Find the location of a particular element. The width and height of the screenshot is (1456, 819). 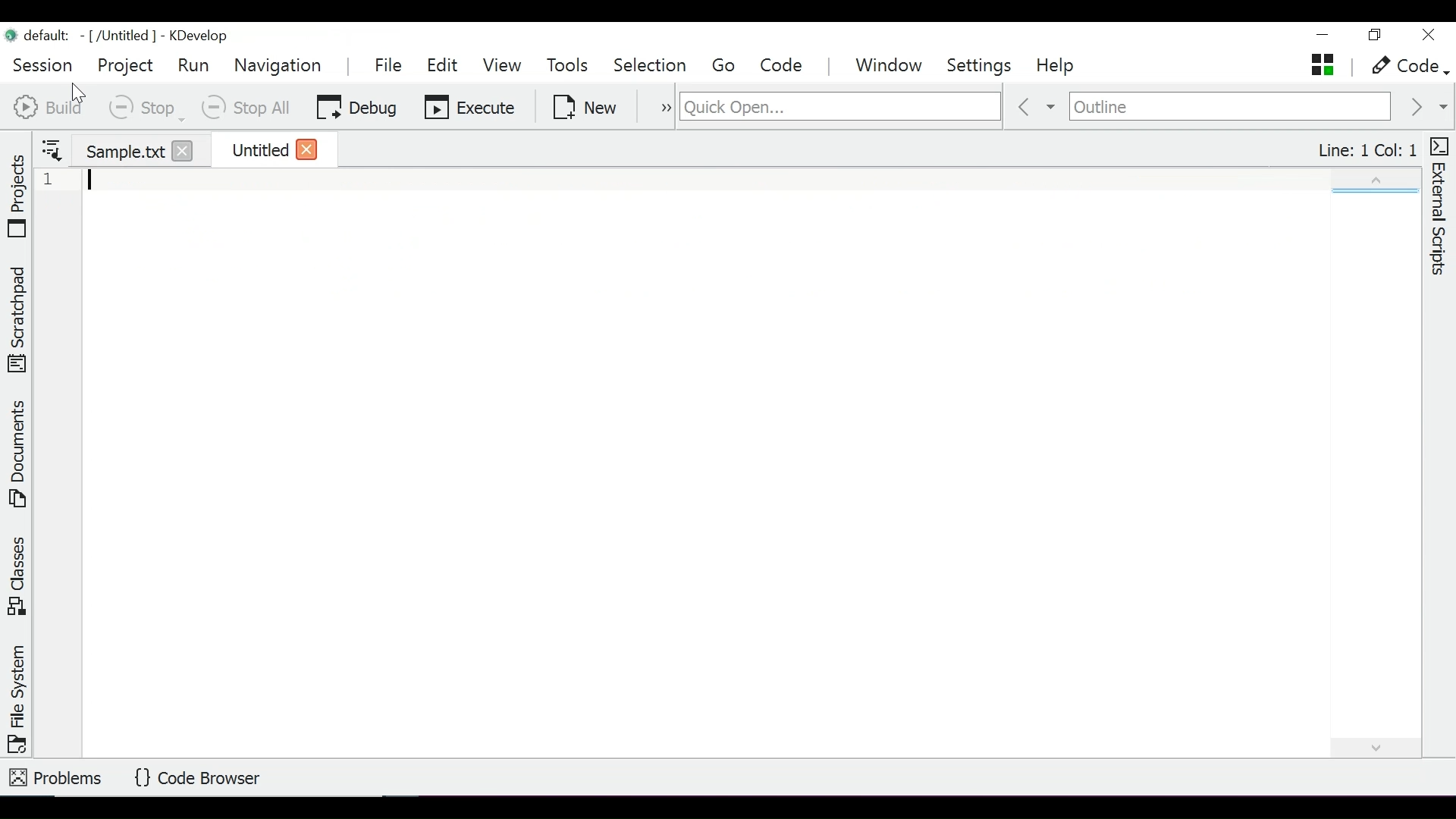

Help is located at coordinates (1063, 67).